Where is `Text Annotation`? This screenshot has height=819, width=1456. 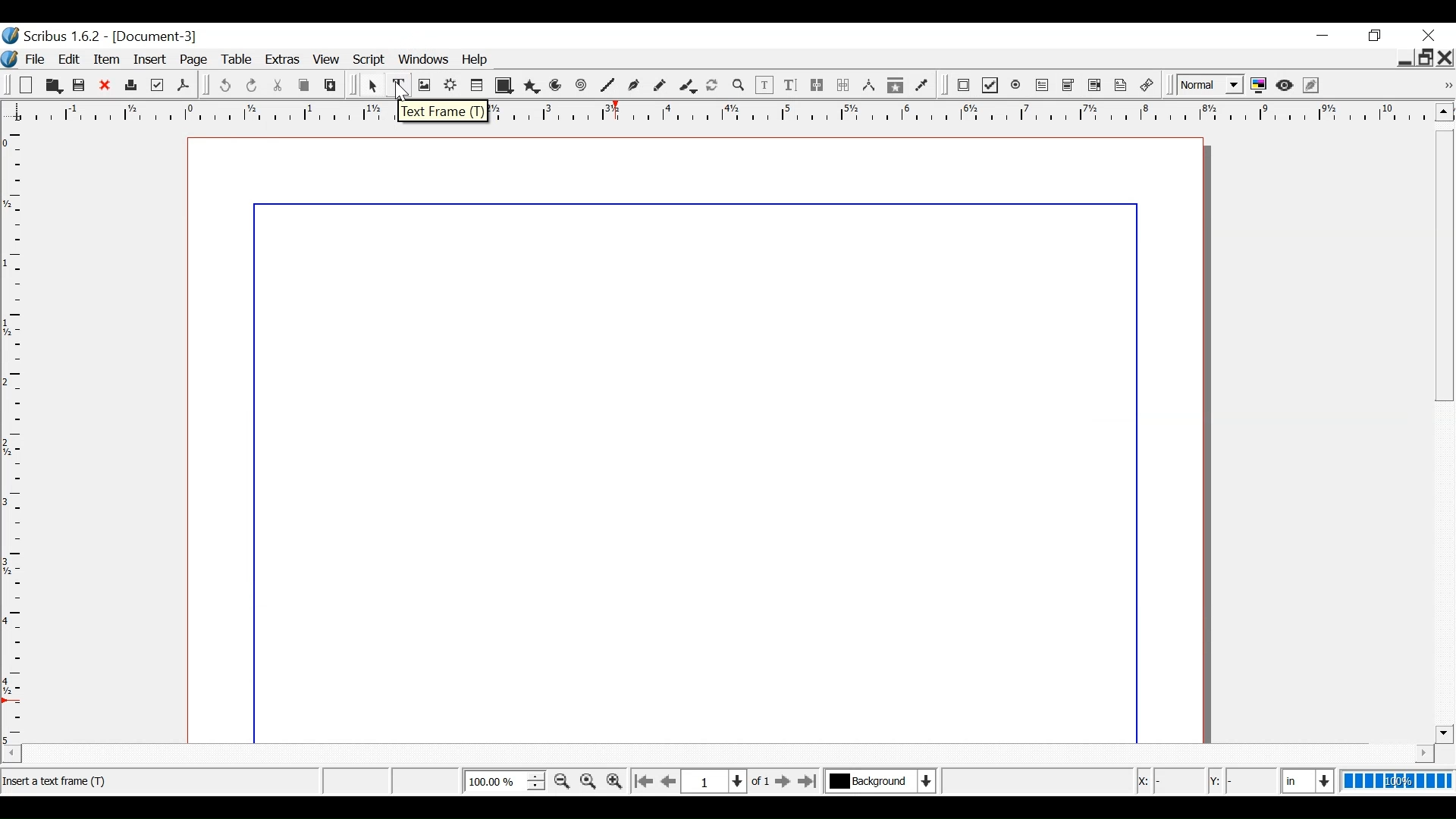
Text Annotation is located at coordinates (1122, 86).